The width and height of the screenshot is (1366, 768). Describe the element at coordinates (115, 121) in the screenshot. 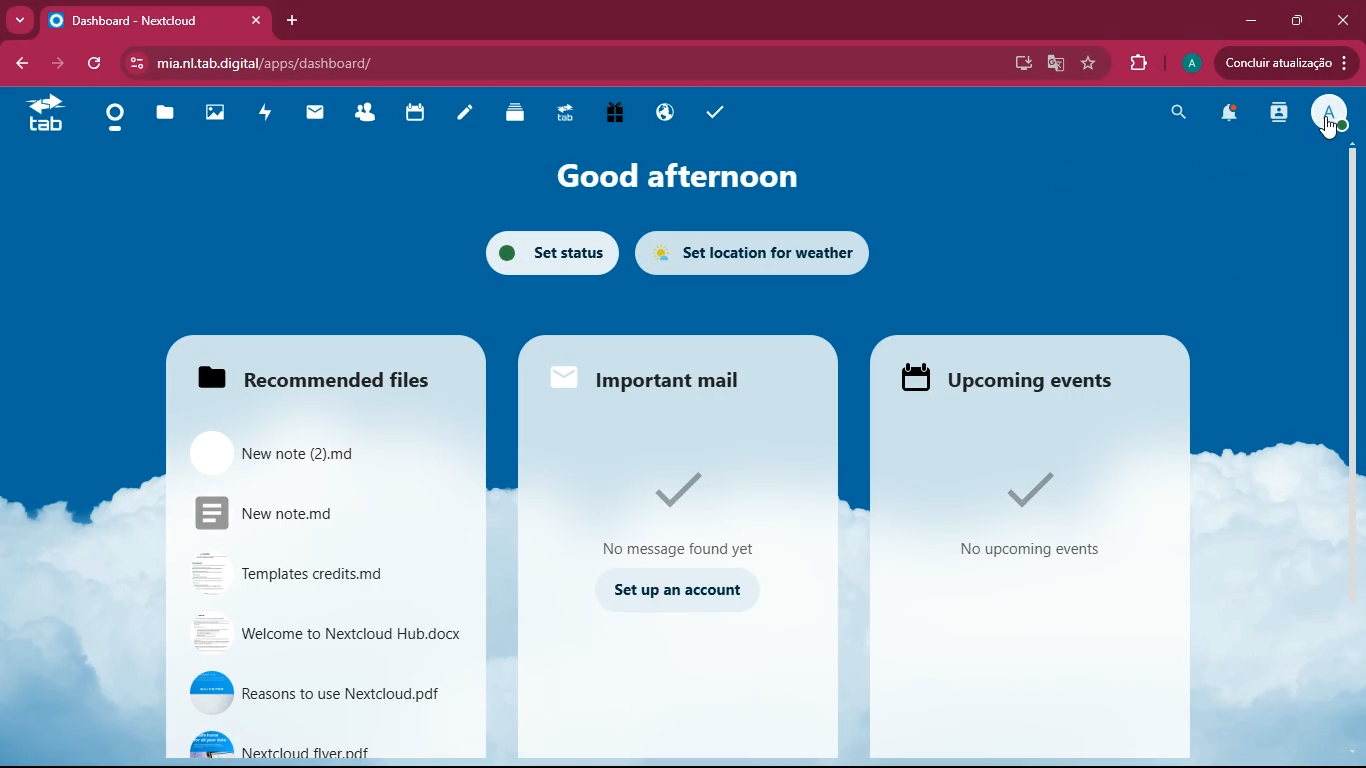

I see `home` at that location.